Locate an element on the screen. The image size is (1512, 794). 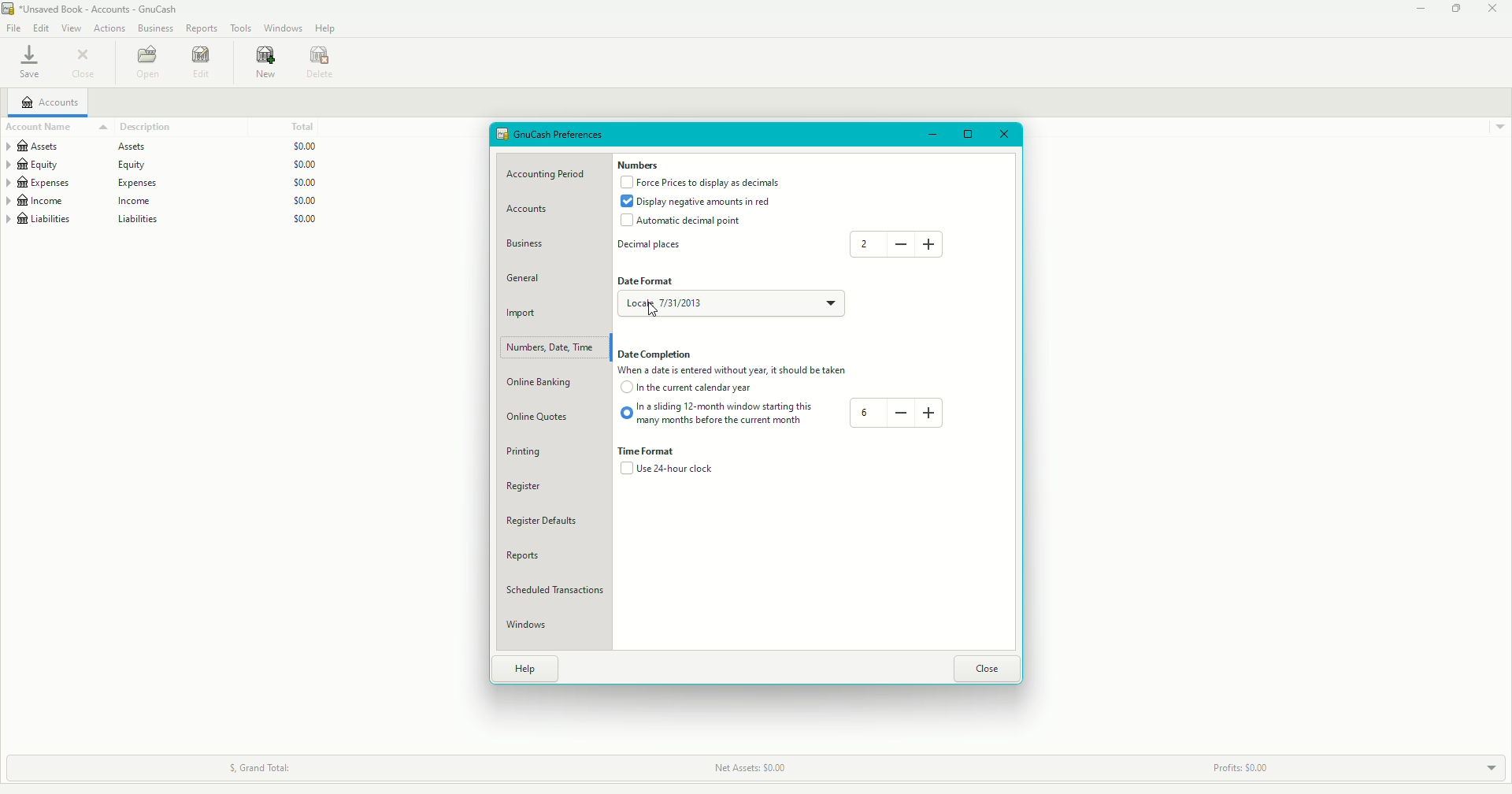
Time Format is located at coordinates (654, 452).